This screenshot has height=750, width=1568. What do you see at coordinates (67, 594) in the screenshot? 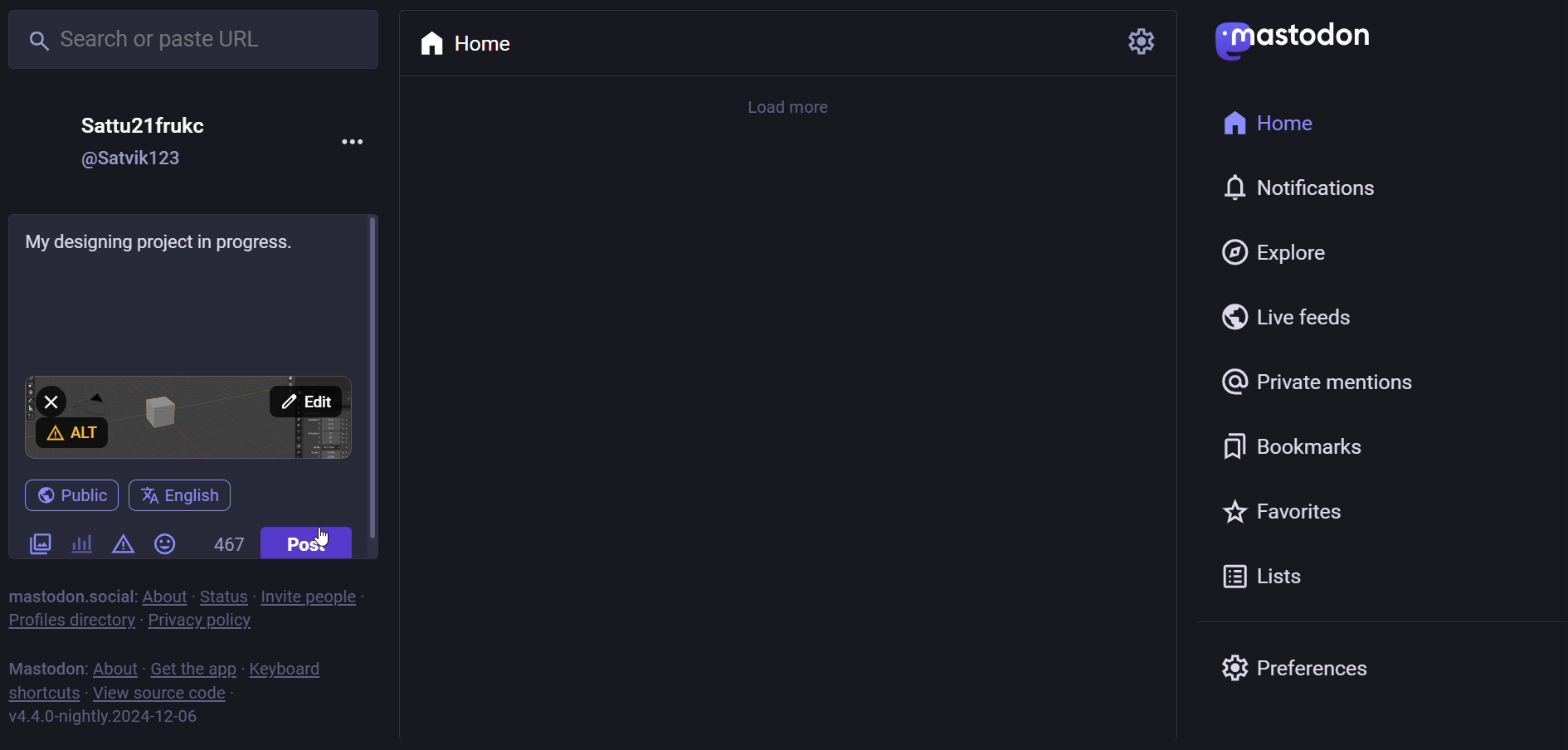
I see `mastodon social` at bounding box center [67, 594].